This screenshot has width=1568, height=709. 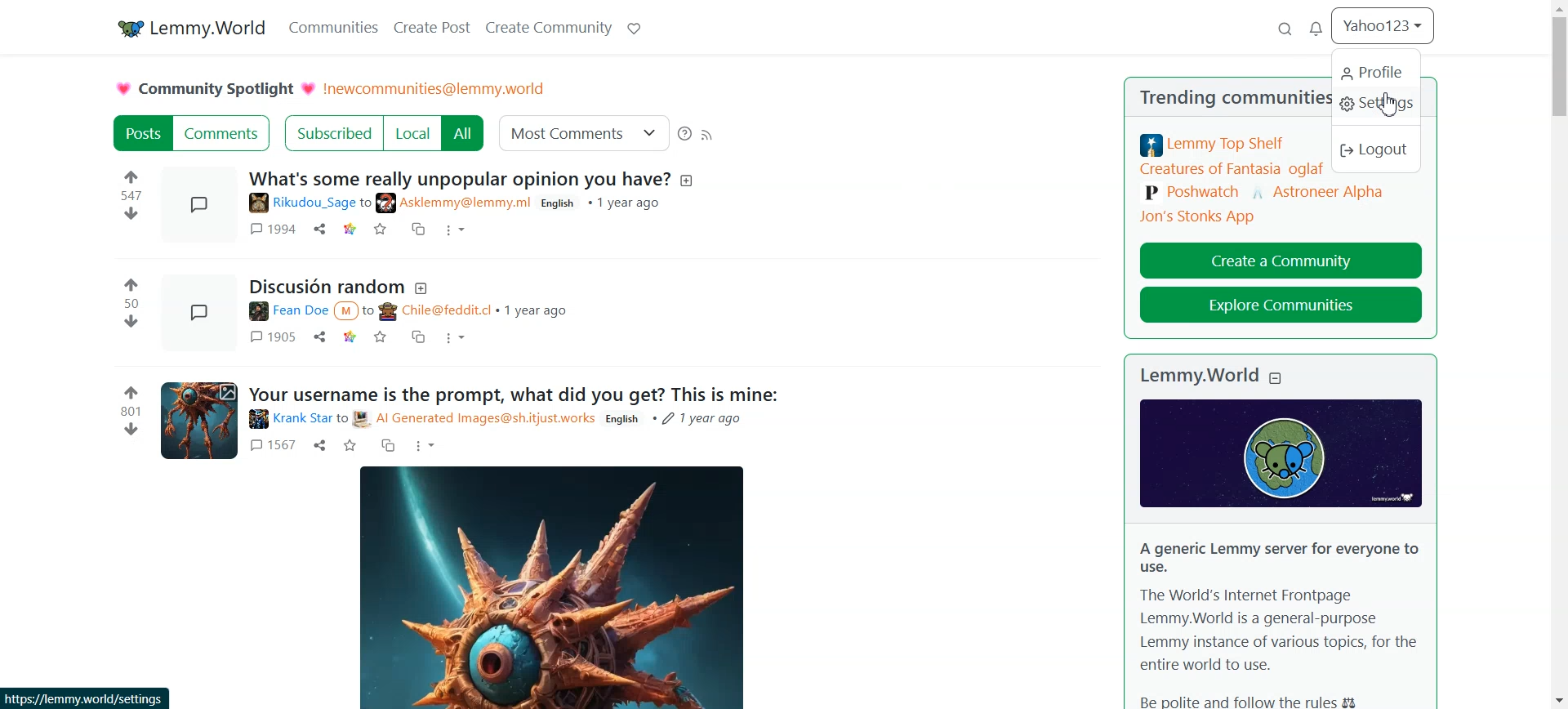 What do you see at coordinates (1388, 105) in the screenshot?
I see `Cursor` at bounding box center [1388, 105].